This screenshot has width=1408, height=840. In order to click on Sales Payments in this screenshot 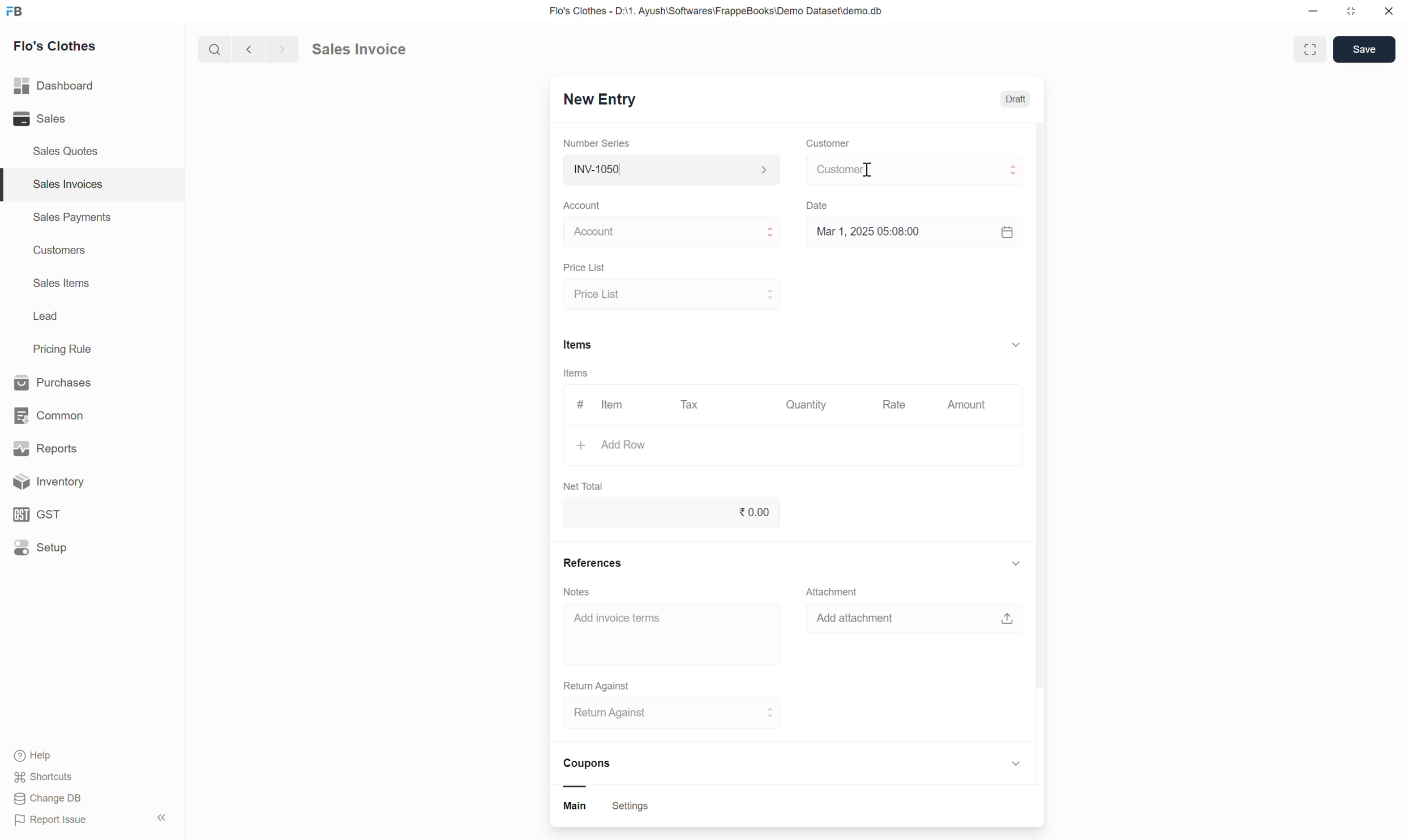, I will do `click(71, 219)`.